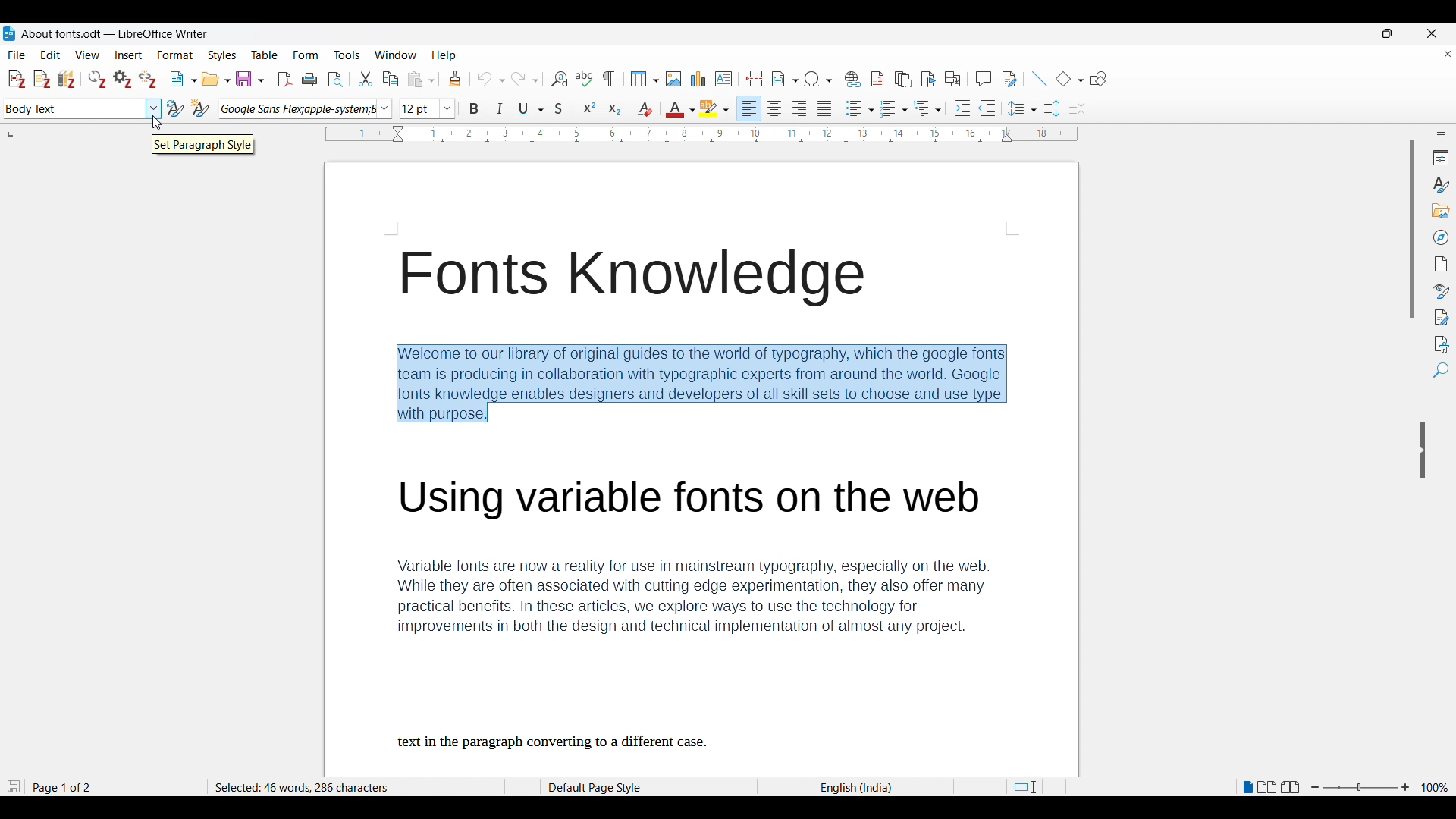  I want to click on Save, so click(250, 79).